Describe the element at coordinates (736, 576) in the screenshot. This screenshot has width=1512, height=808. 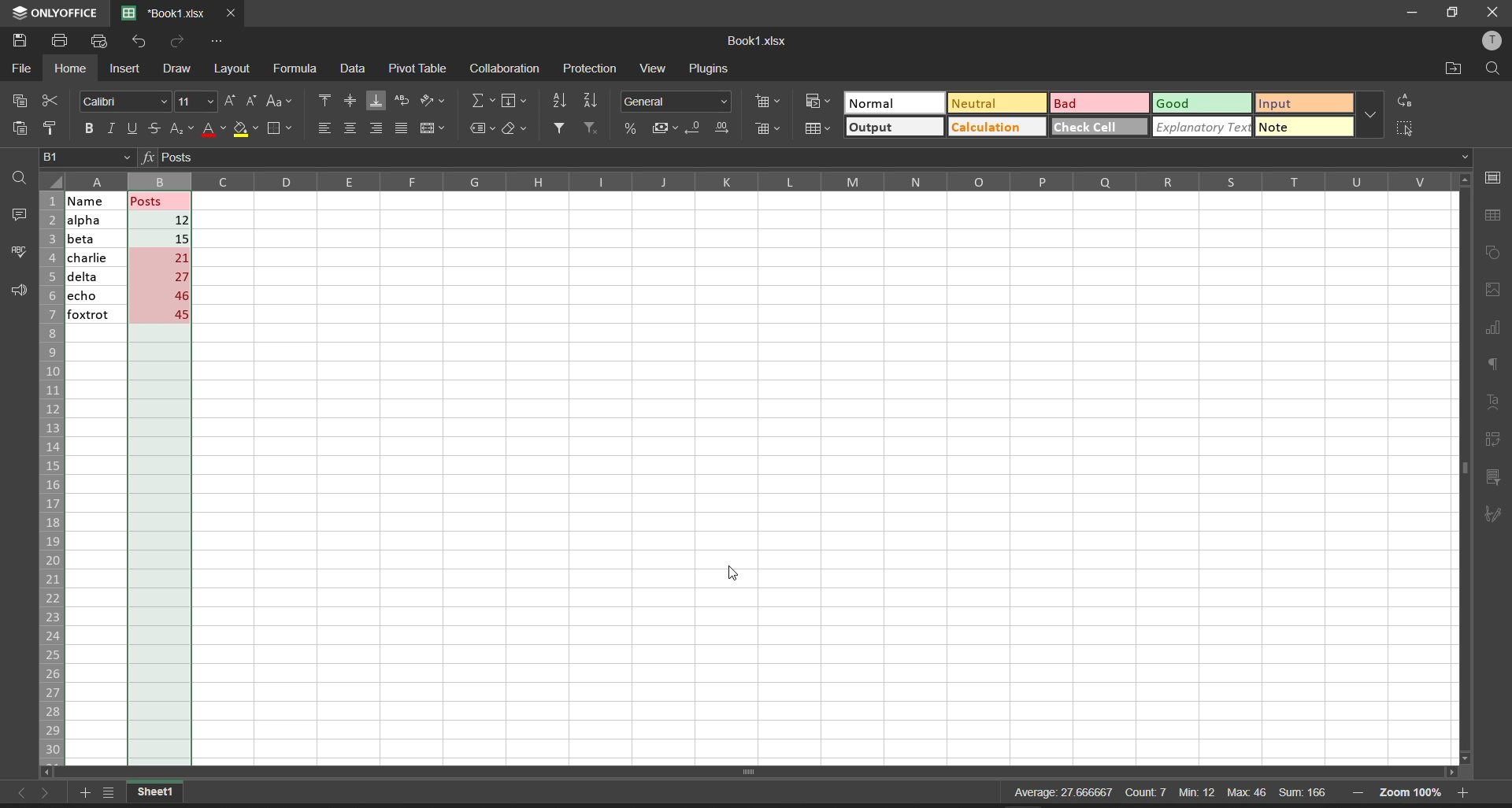
I see `cursor` at that location.